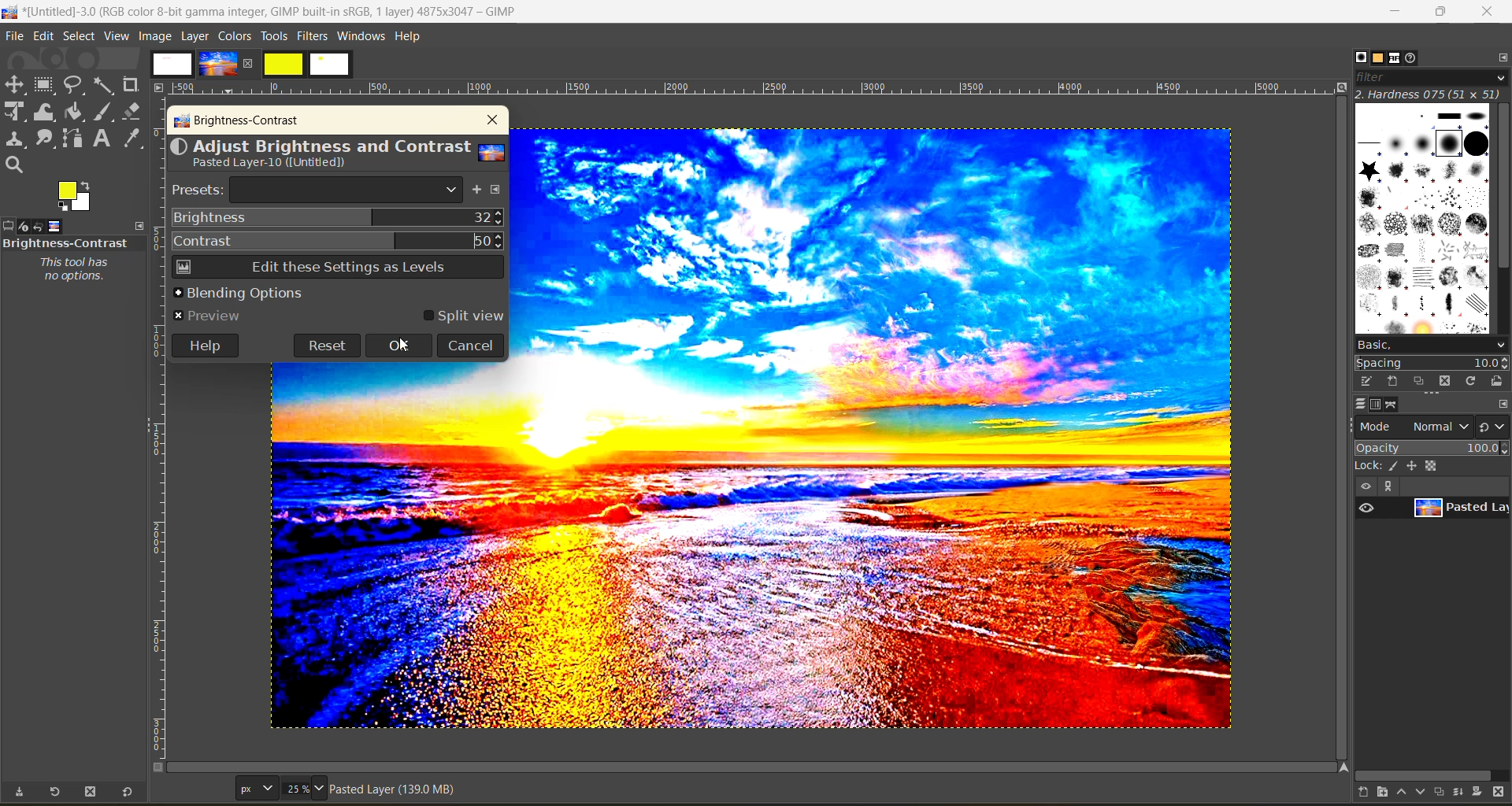 The image size is (1512, 806). What do you see at coordinates (1494, 430) in the screenshot?
I see `switch to another group` at bounding box center [1494, 430].